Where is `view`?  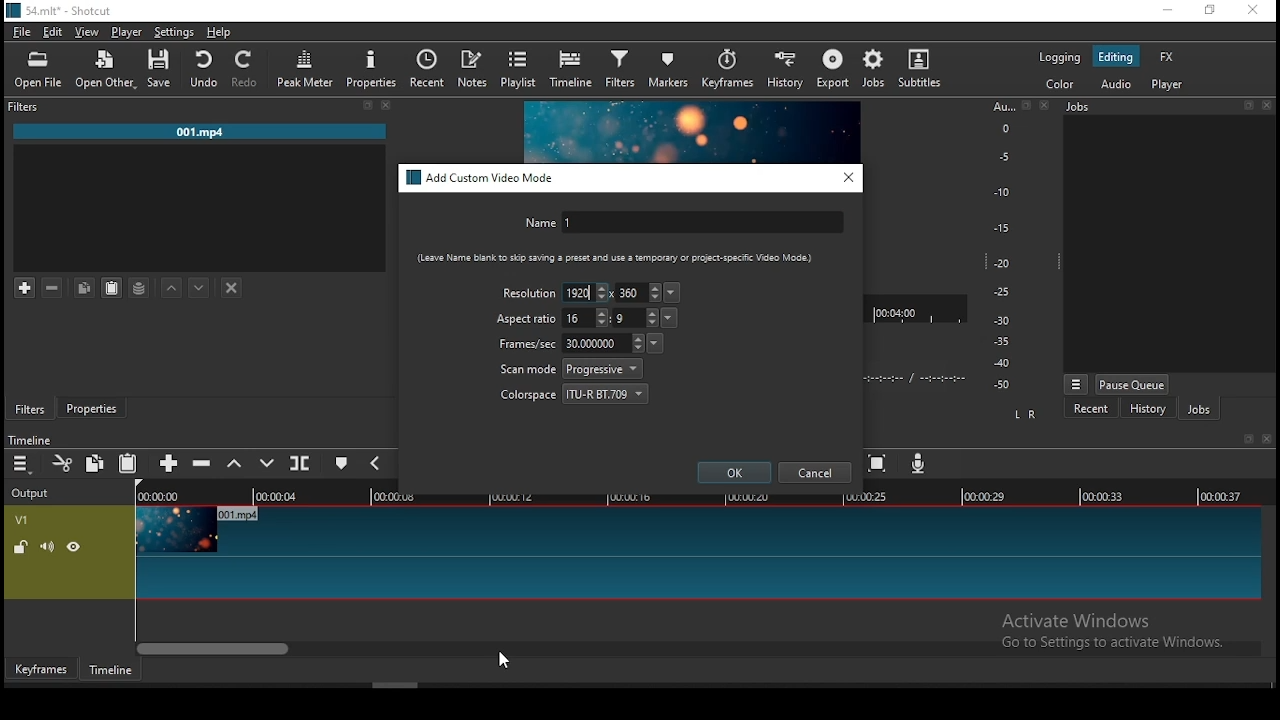 view is located at coordinates (89, 34).